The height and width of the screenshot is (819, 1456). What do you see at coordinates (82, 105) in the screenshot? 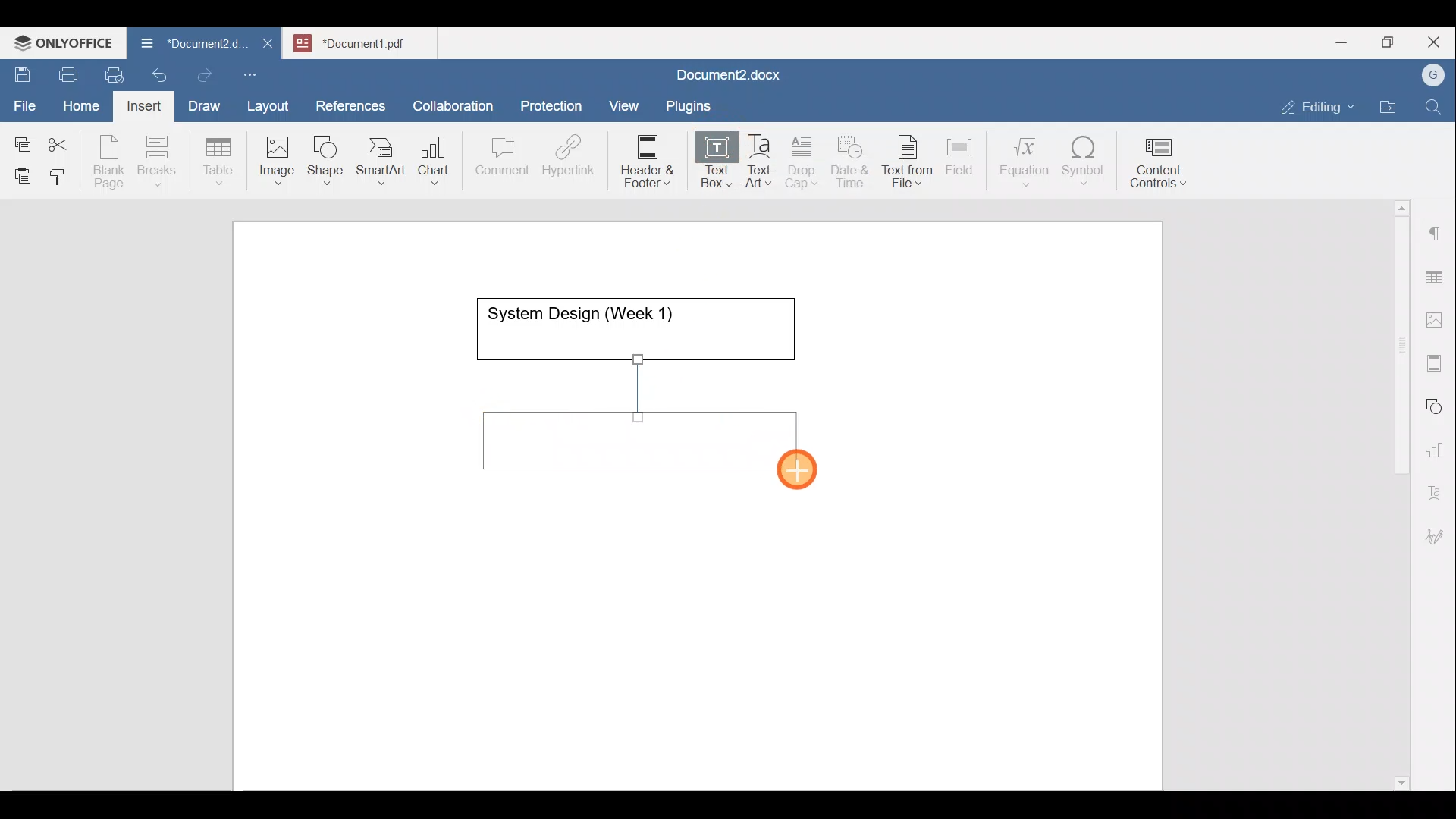
I see `Home` at bounding box center [82, 105].